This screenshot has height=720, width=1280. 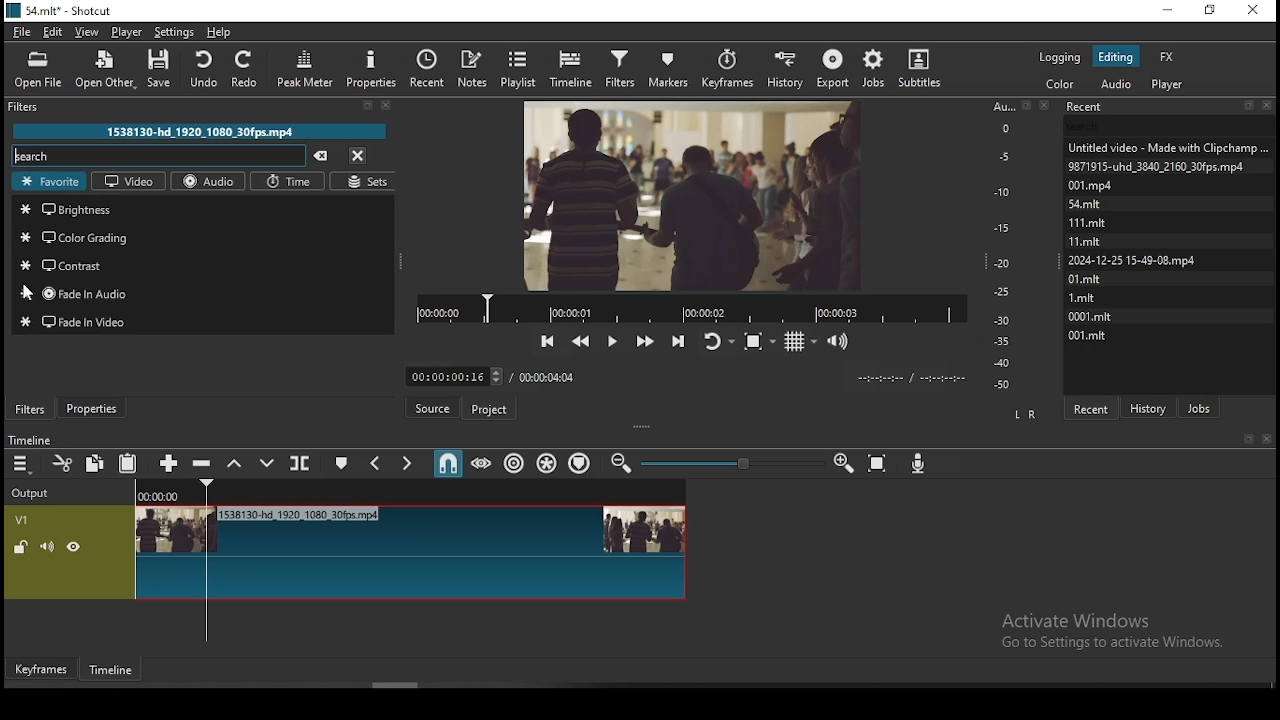 What do you see at coordinates (840, 340) in the screenshot?
I see `volume control` at bounding box center [840, 340].